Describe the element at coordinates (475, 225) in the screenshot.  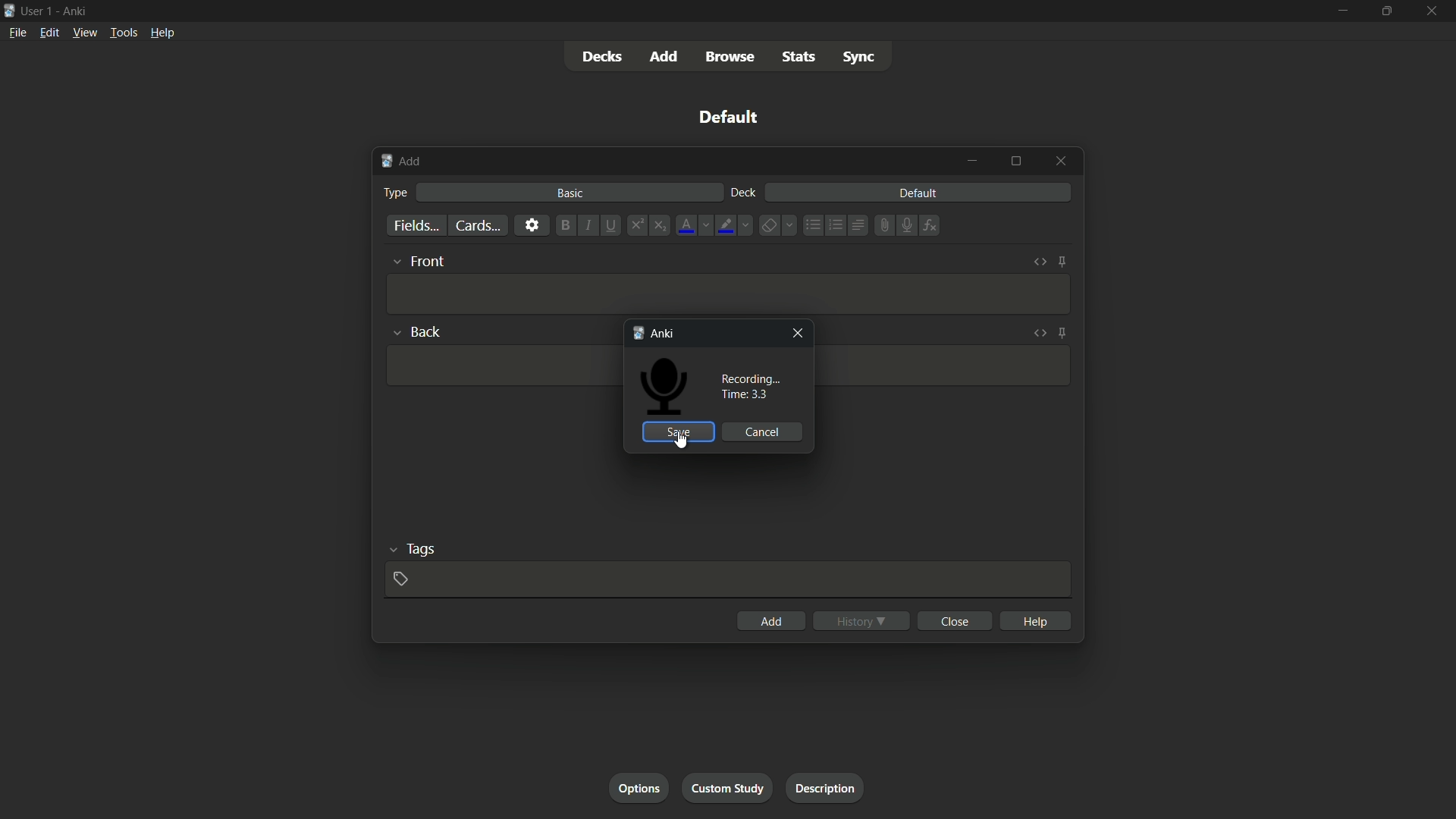
I see `cards` at that location.